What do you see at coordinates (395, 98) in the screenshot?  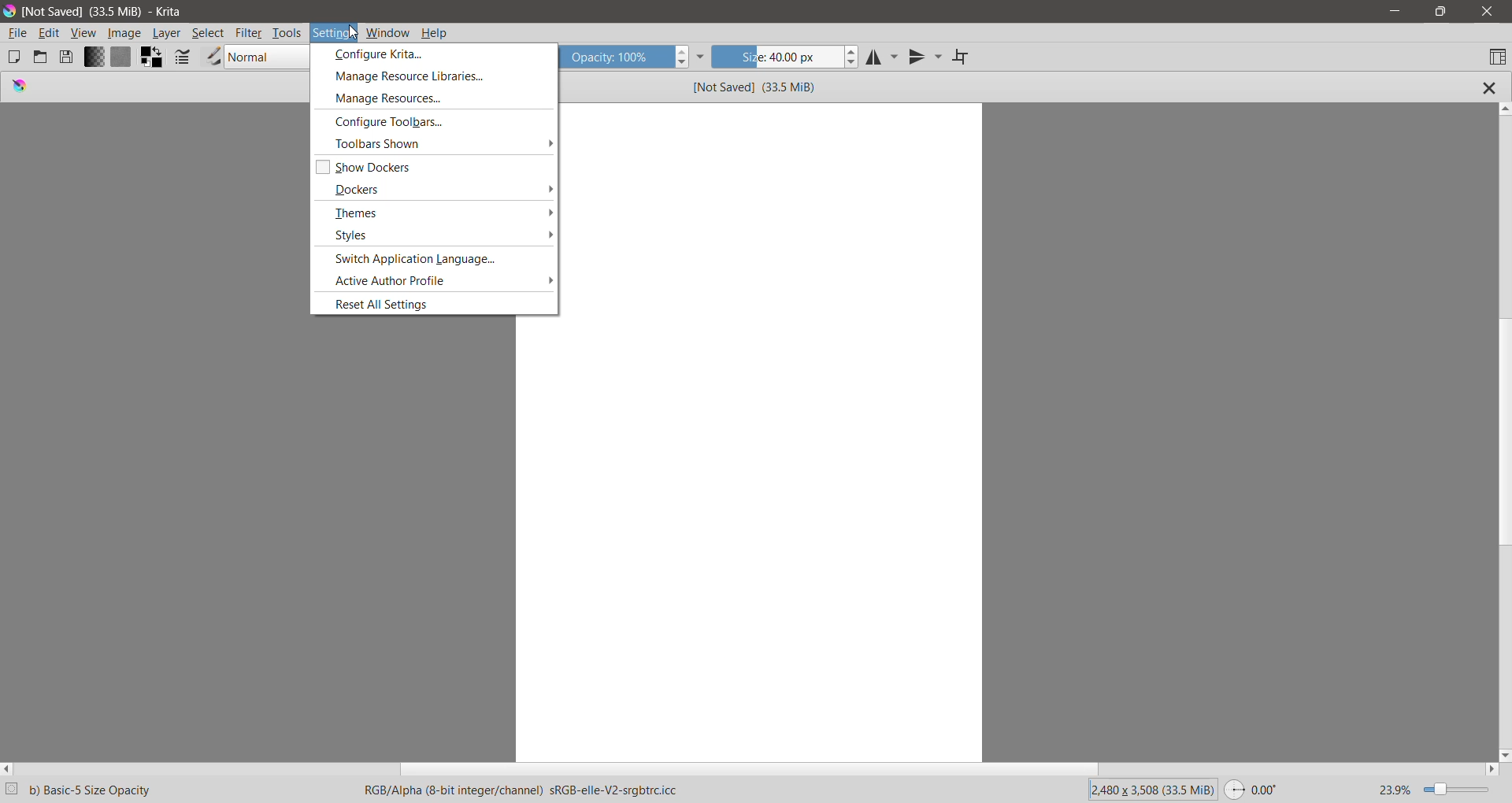 I see `Manage resources` at bounding box center [395, 98].